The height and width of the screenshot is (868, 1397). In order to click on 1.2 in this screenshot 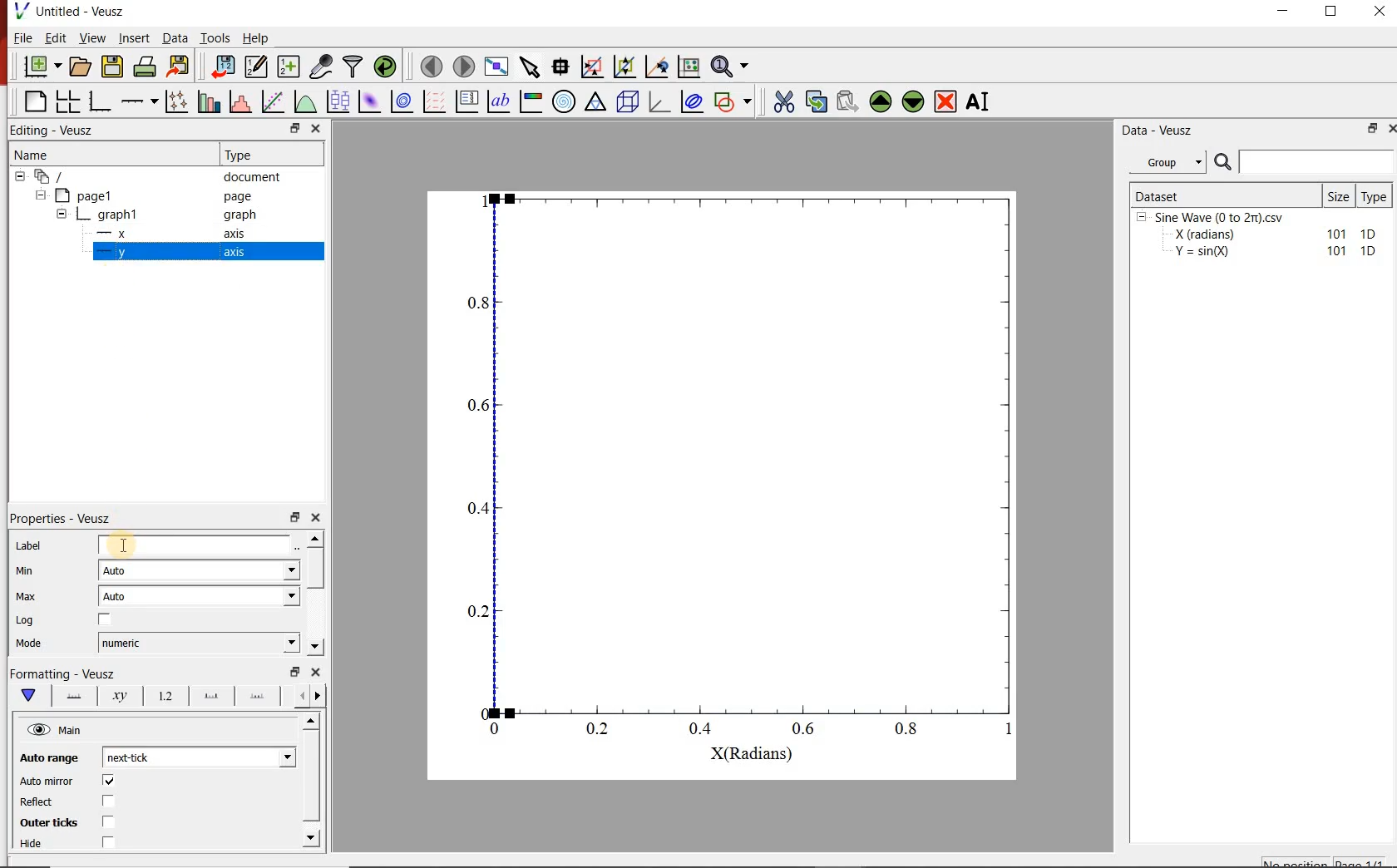, I will do `click(163, 697)`.